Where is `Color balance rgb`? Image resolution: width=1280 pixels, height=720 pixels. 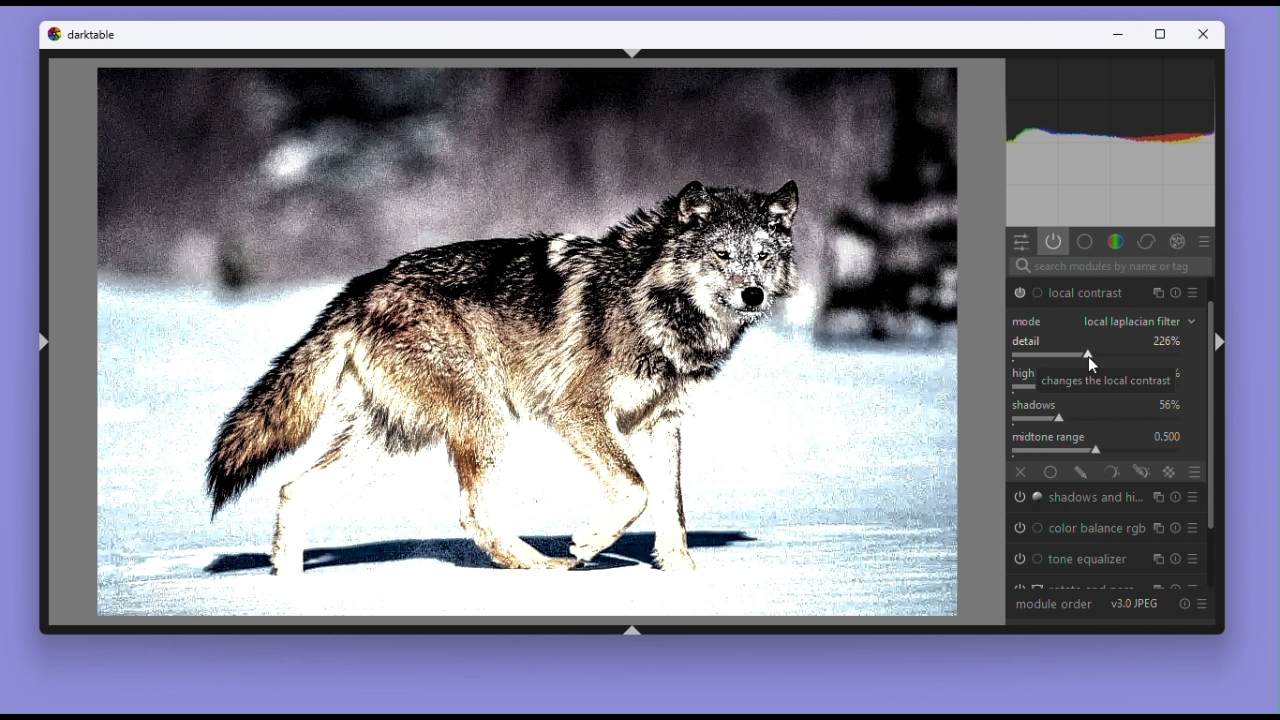 Color balance rgb is located at coordinates (1098, 527).